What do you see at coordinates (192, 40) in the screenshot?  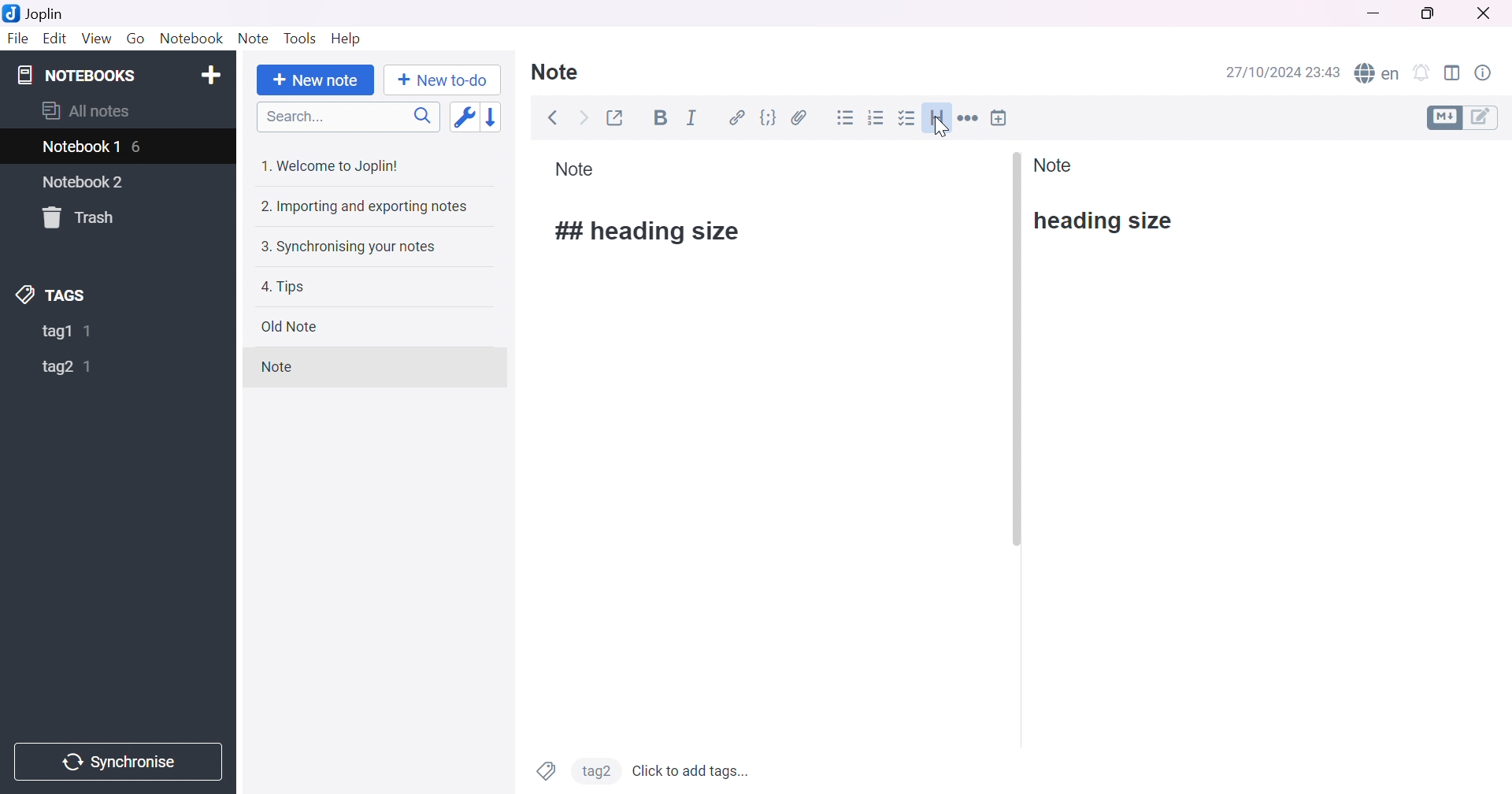 I see `Notebook` at bounding box center [192, 40].